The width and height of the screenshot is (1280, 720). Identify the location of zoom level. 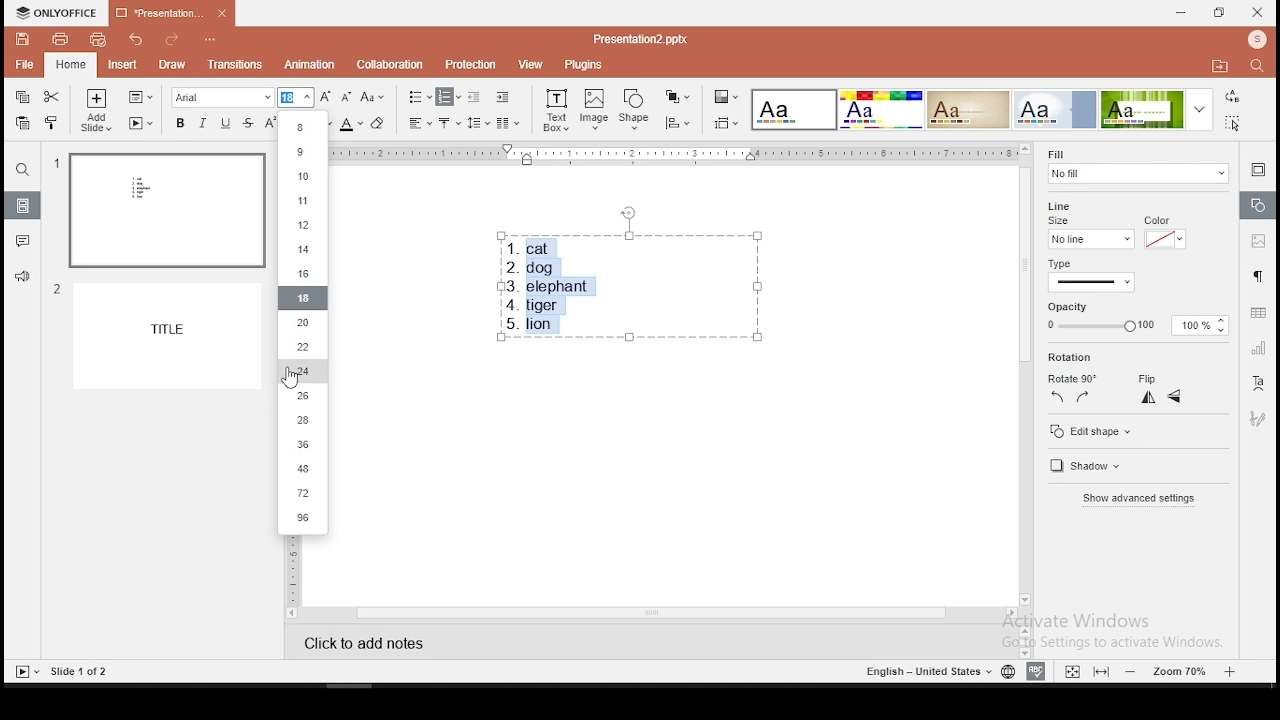
(1180, 671).